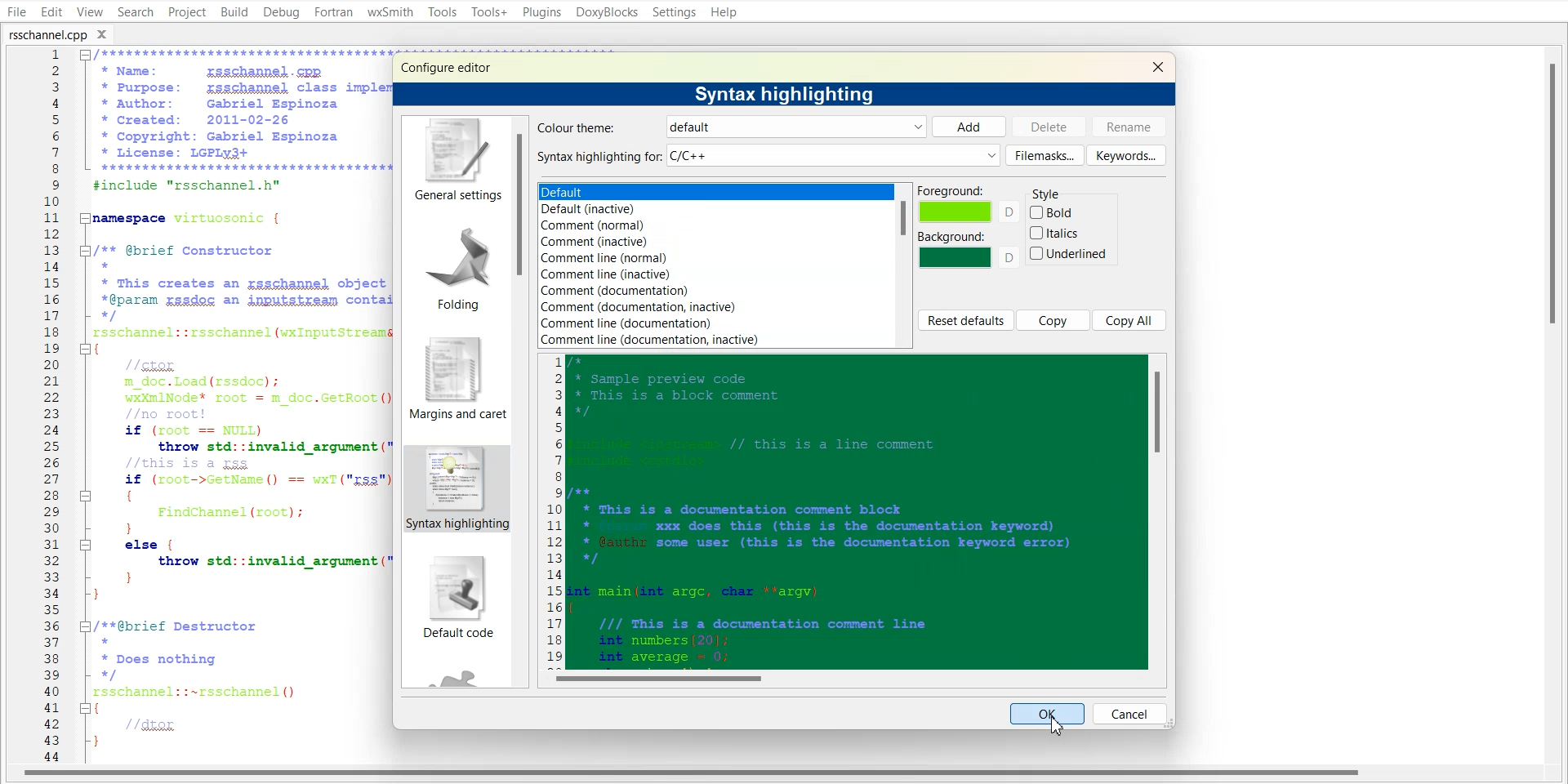 This screenshot has width=1568, height=784. What do you see at coordinates (282, 13) in the screenshot?
I see `Debug` at bounding box center [282, 13].